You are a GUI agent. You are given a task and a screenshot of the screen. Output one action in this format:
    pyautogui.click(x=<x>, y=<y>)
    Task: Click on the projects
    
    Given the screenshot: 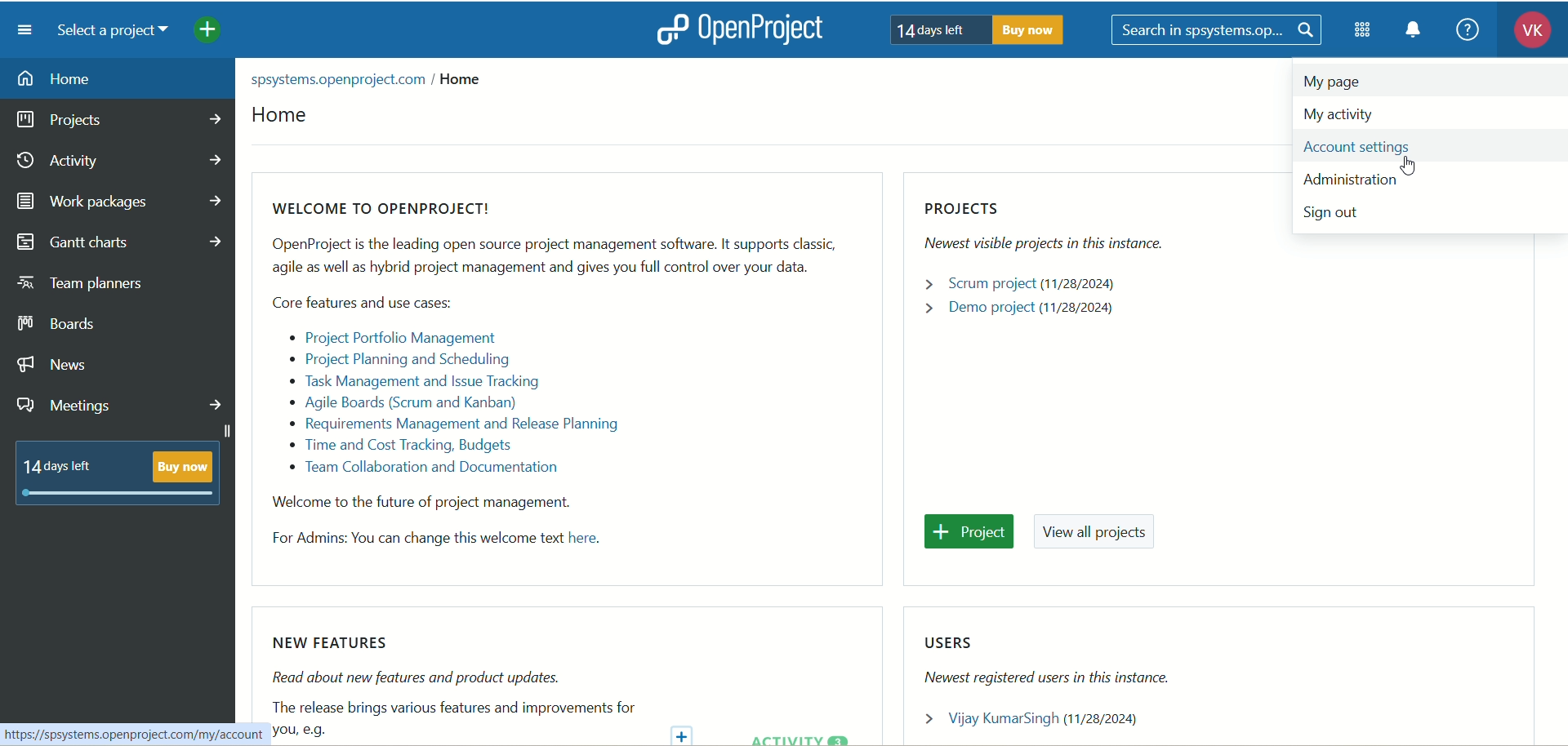 What is the action you would take?
    pyautogui.click(x=118, y=122)
    